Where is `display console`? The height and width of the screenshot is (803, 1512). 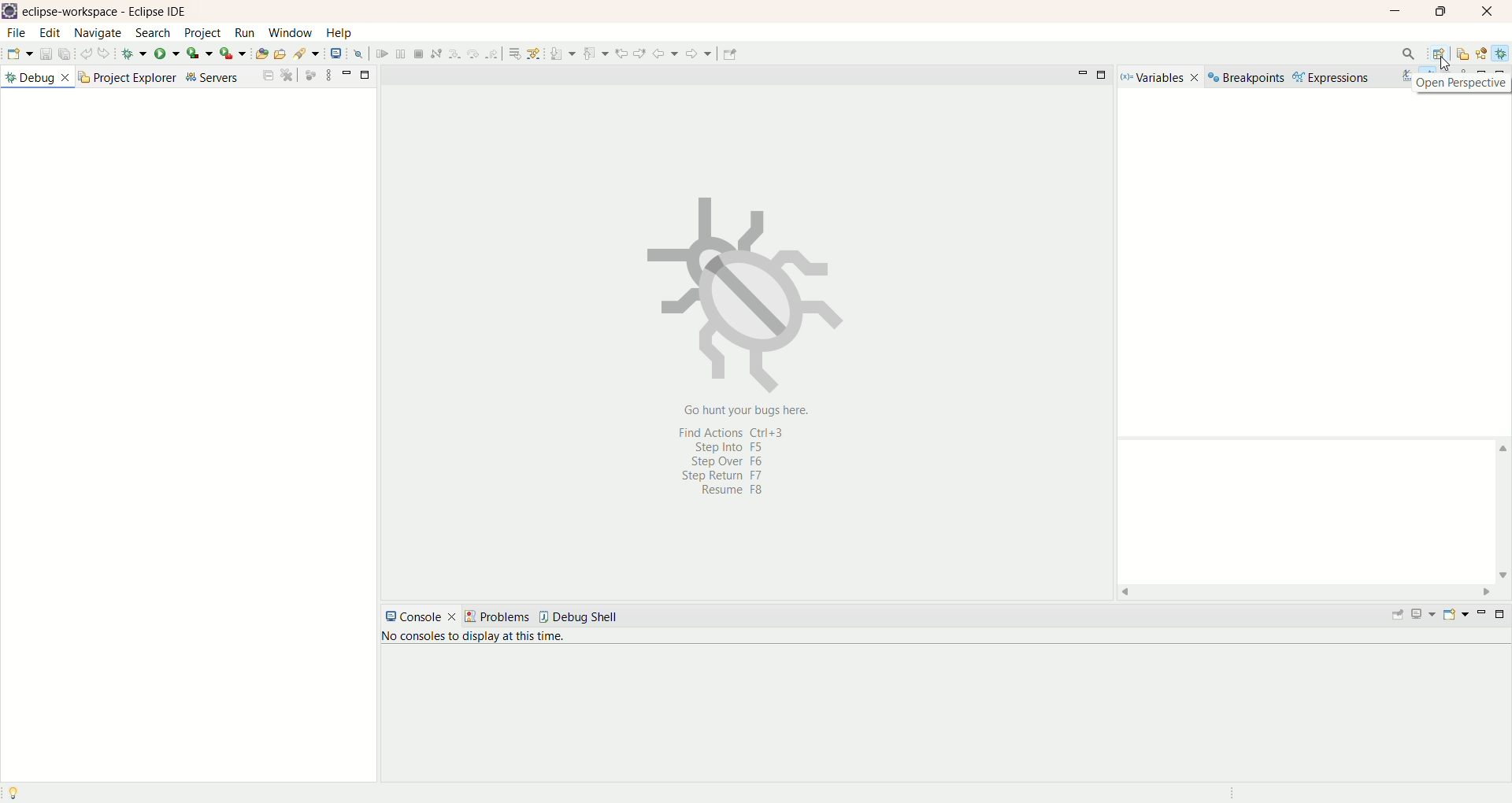 display console is located at coordinates (1425, 612).